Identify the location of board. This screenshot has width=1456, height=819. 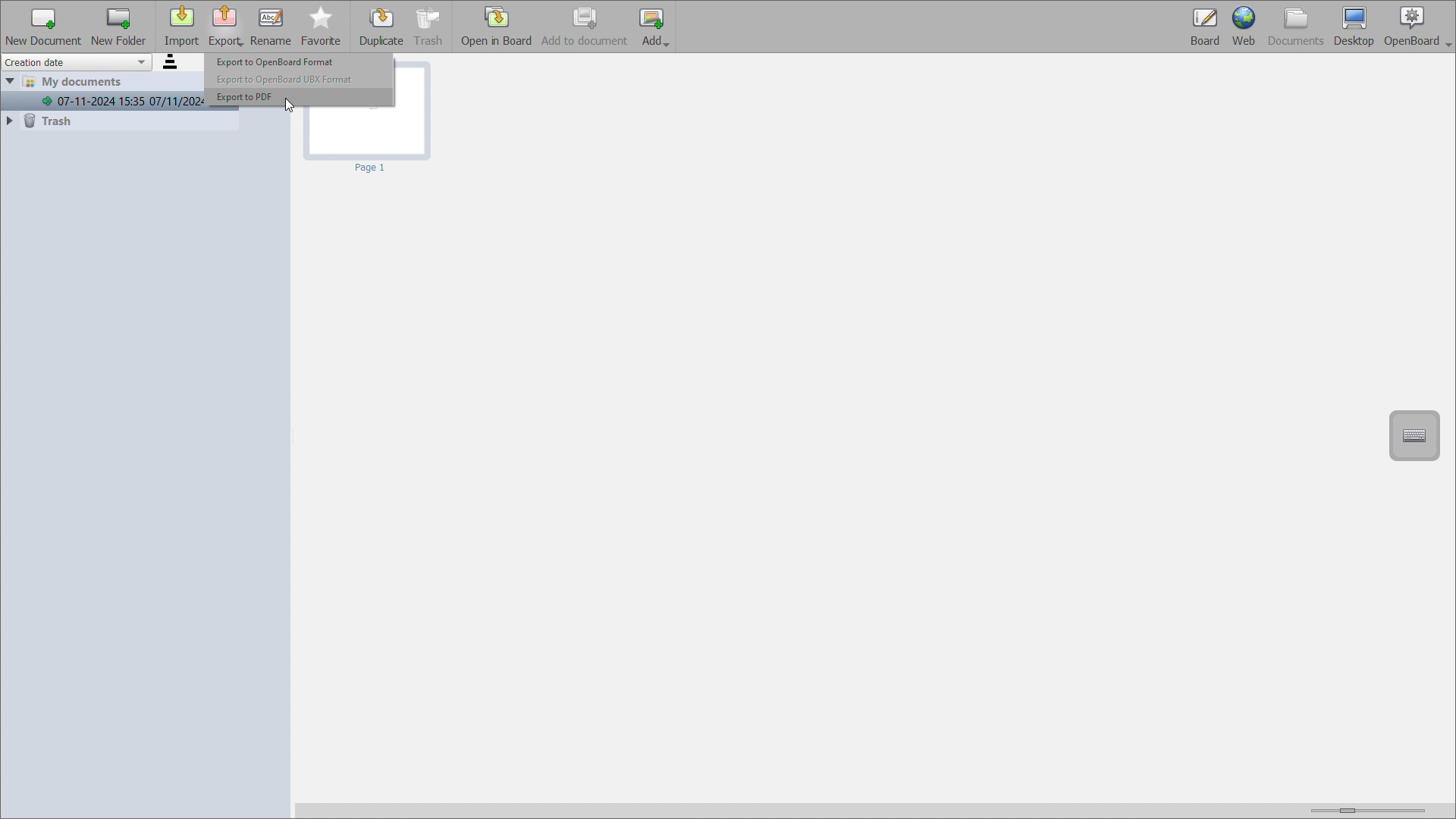
(1203, 27).